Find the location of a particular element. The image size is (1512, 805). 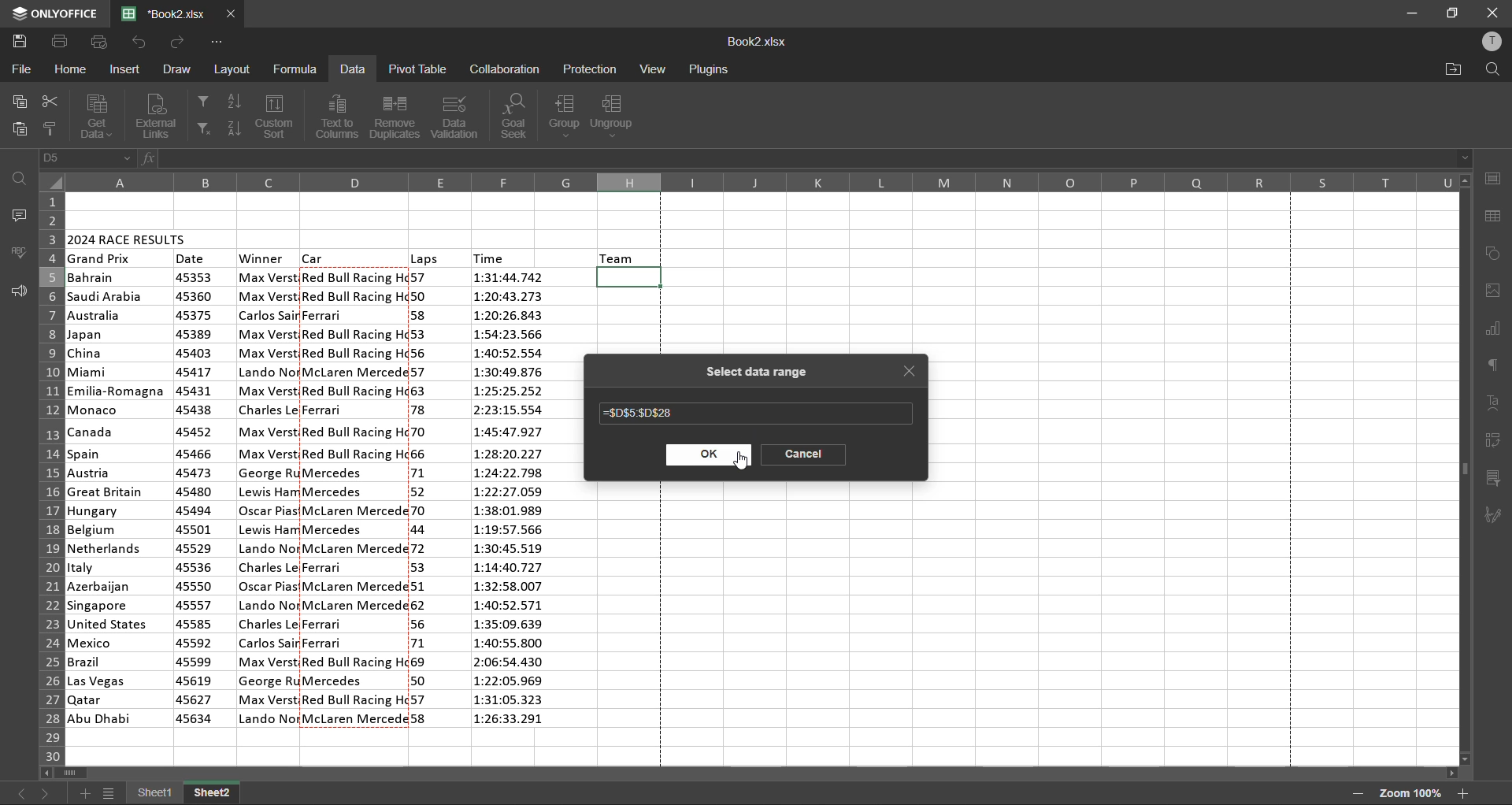

filename is located at coordinates (757, 43).